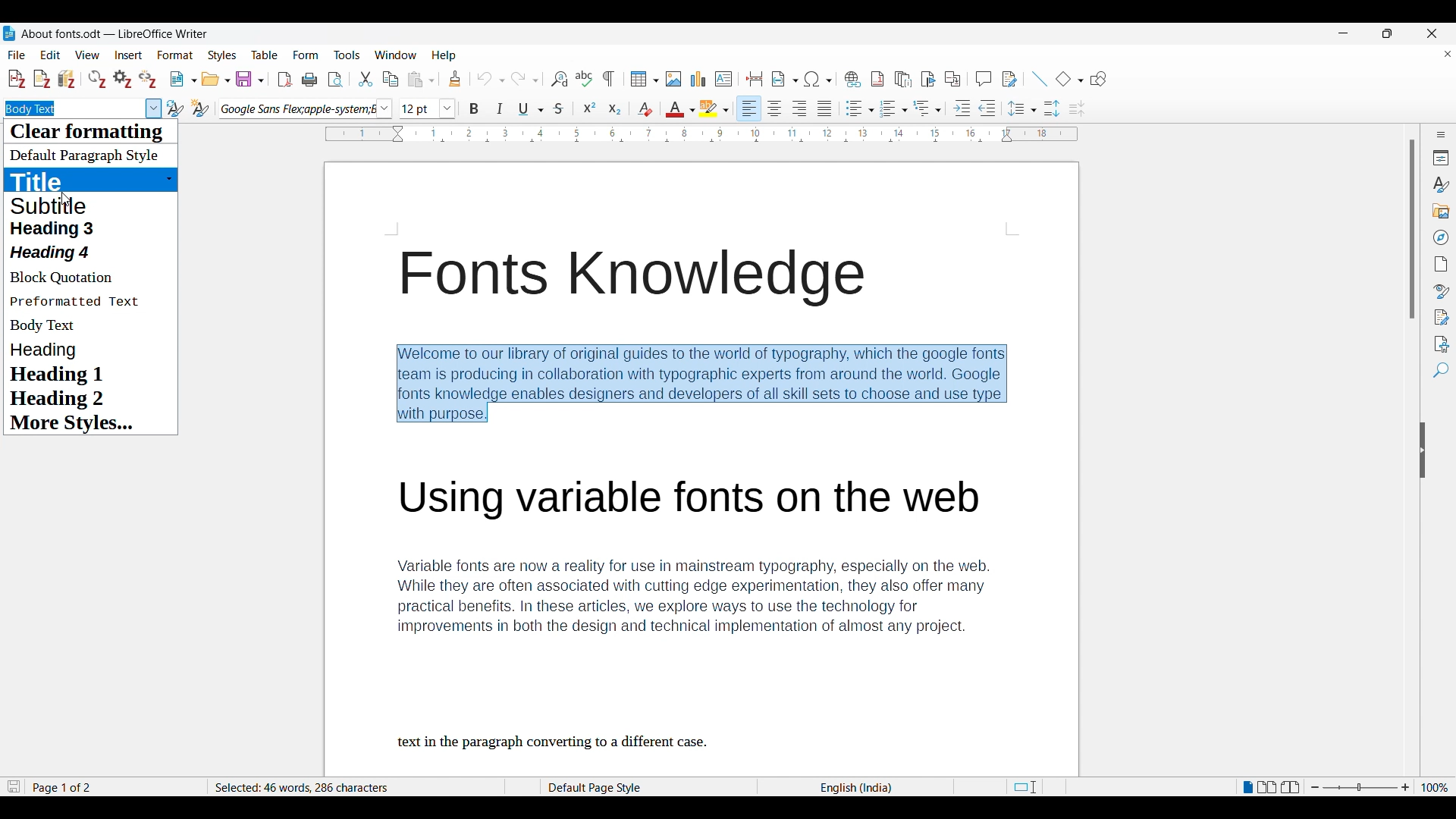 Image resolution: width=1456 pixels, height=819 pixels. Describe the element at coordinates (1432, 33) in the screenshot. I see `Close interface` at that location.